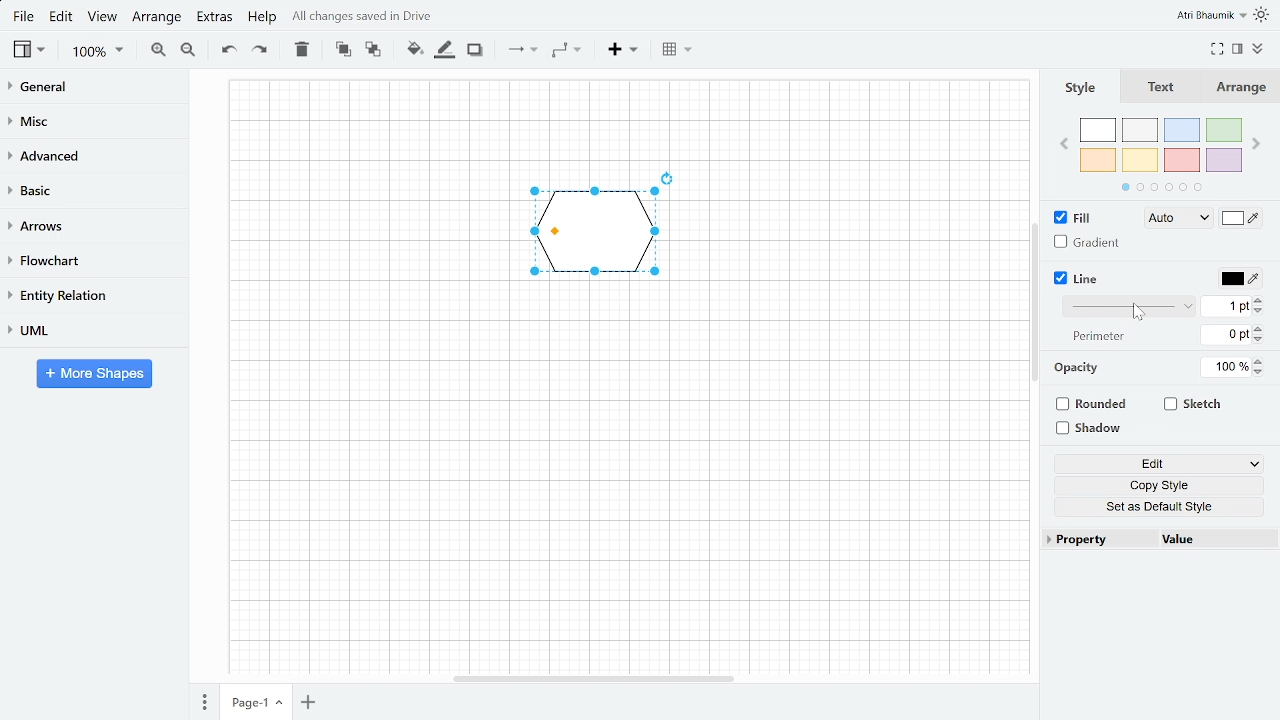  I want to click on Atri Bhaumik, so click(1212, 15).